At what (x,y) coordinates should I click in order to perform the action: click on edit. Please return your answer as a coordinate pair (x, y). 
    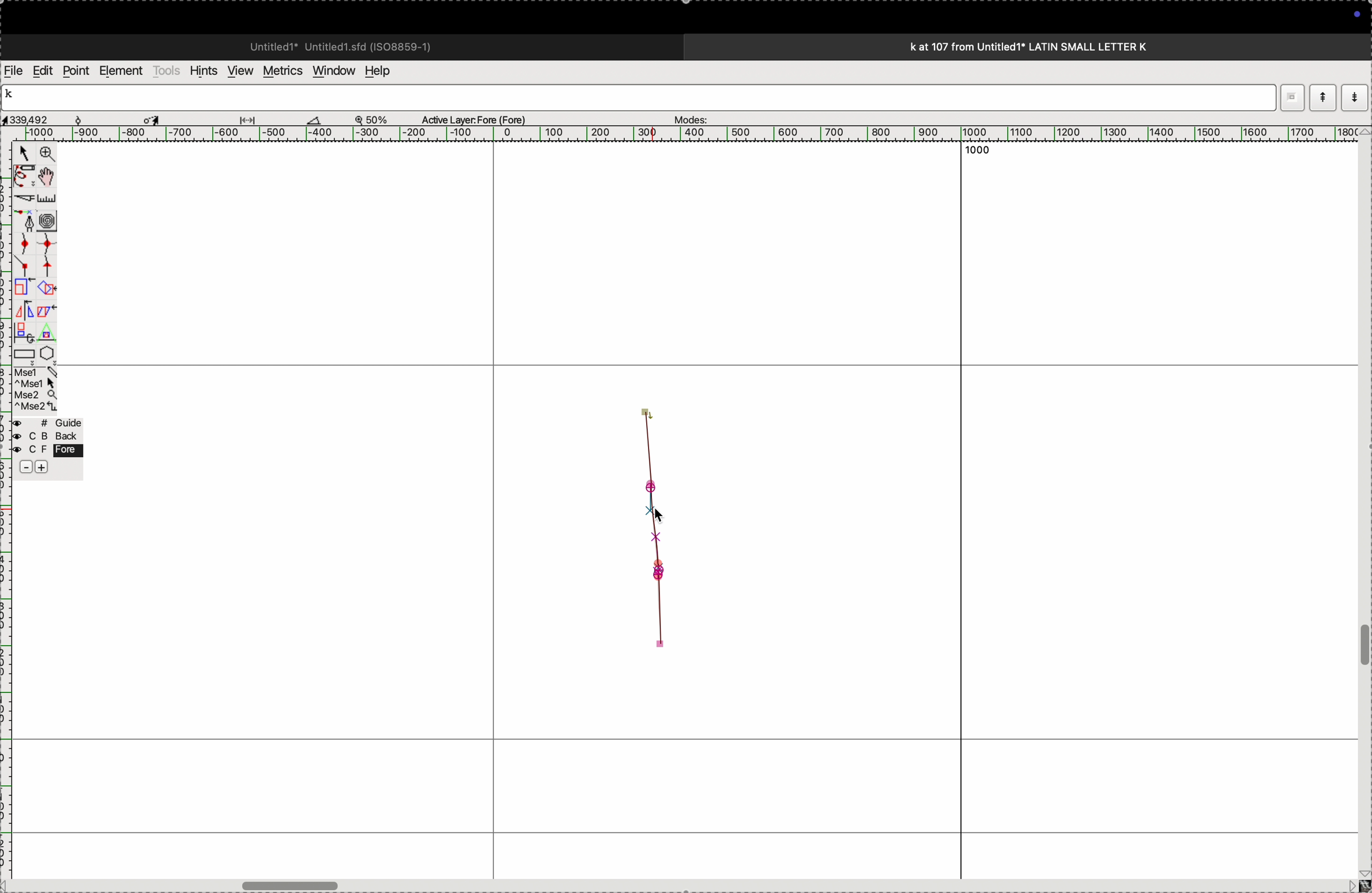
    Looking at the image, I should click on (42, 70).